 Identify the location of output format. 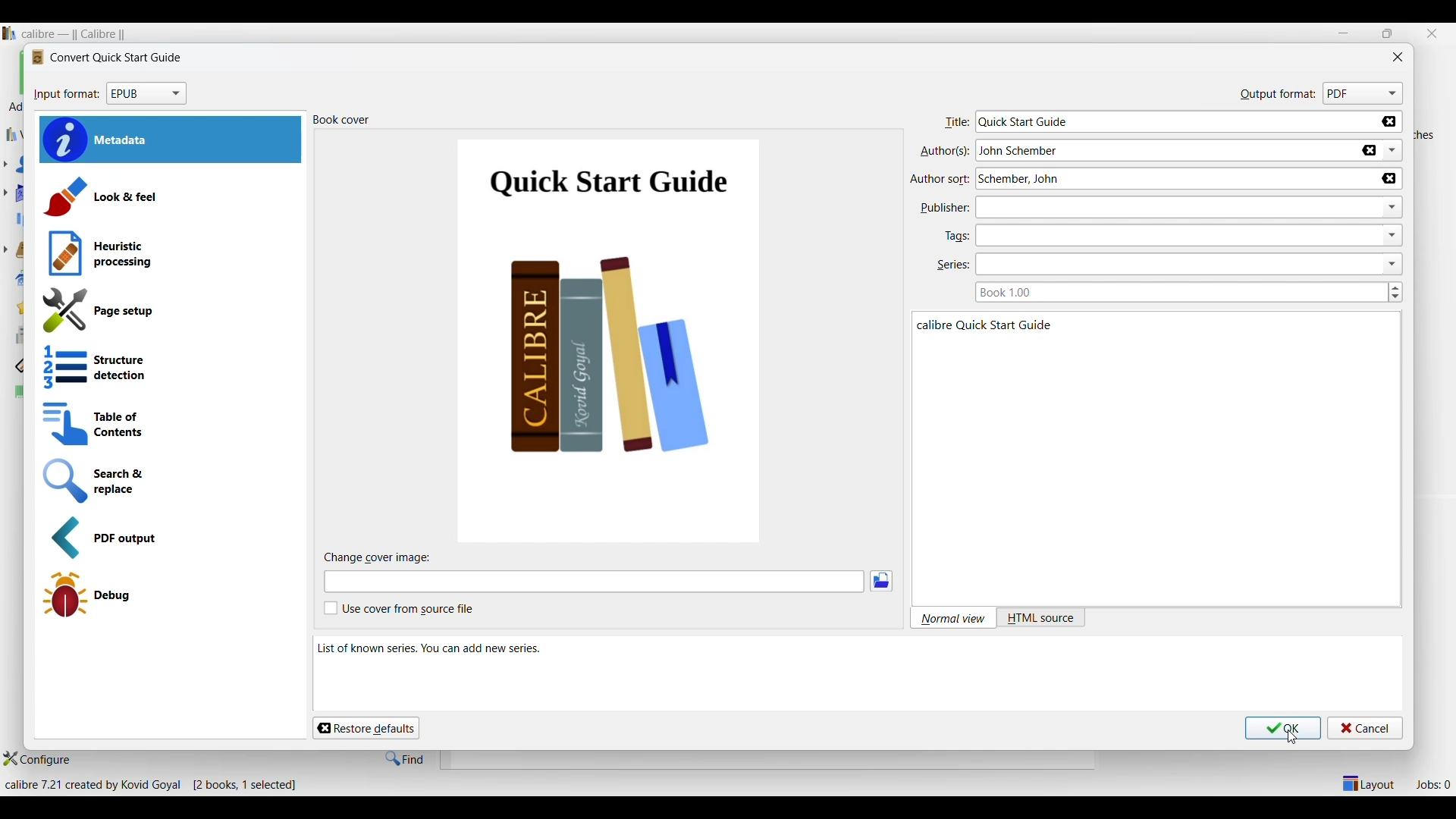
(1278, 96).